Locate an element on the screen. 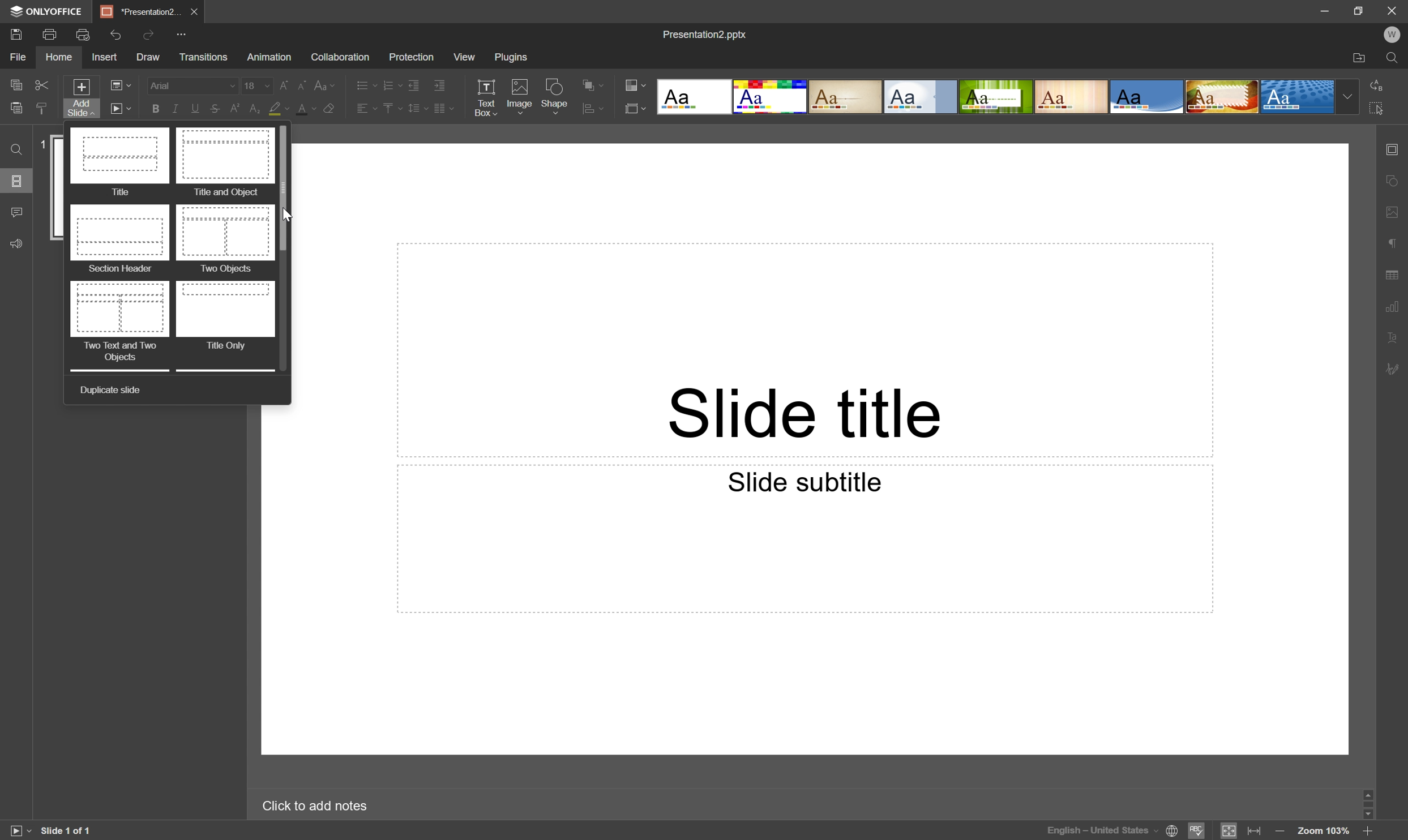 The height and width of the screenshot is (840, 1408). Change color theme is located at coordinates (635, 83).